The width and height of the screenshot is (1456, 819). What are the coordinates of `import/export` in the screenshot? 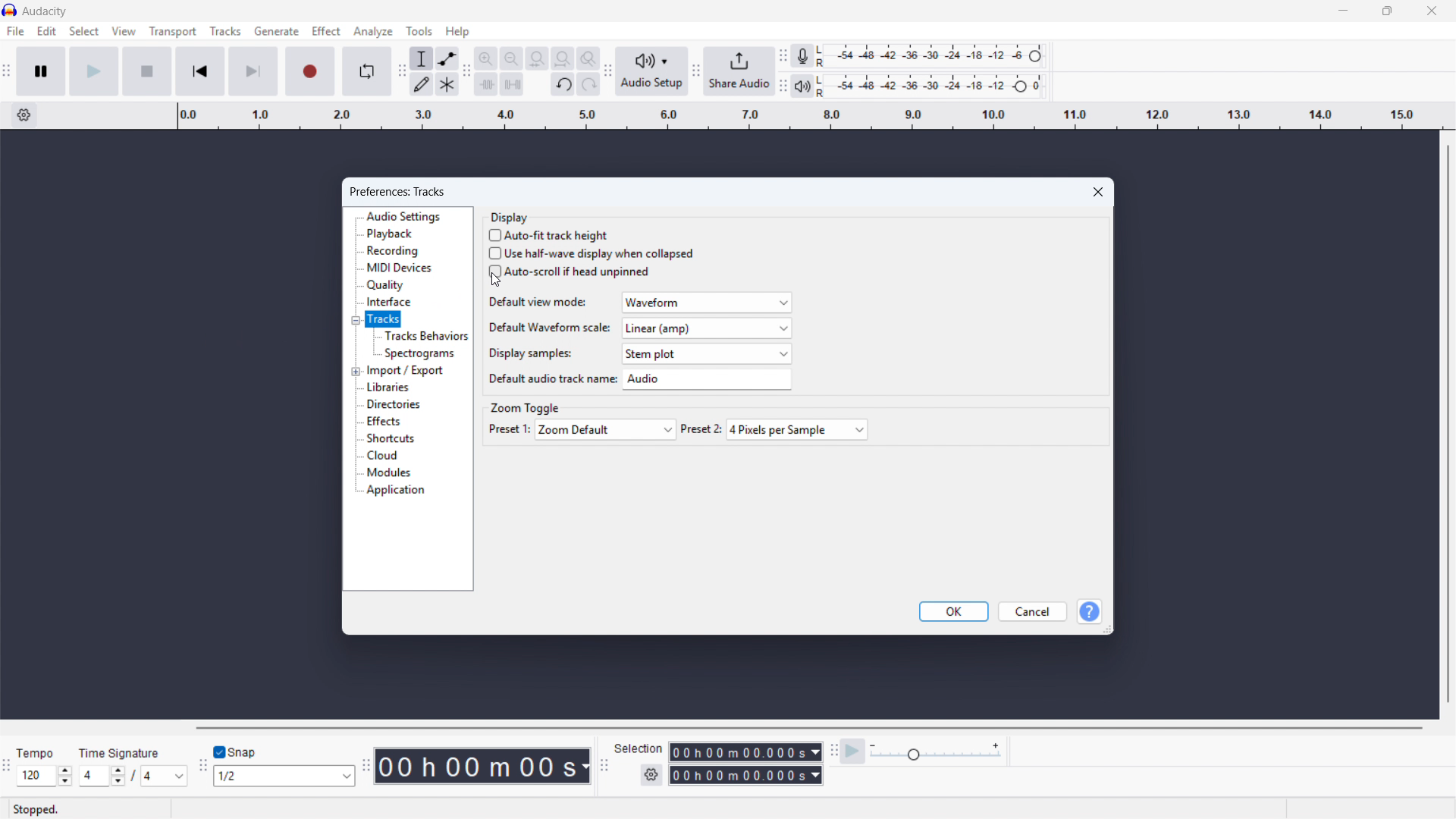 It's located at (406, 370).